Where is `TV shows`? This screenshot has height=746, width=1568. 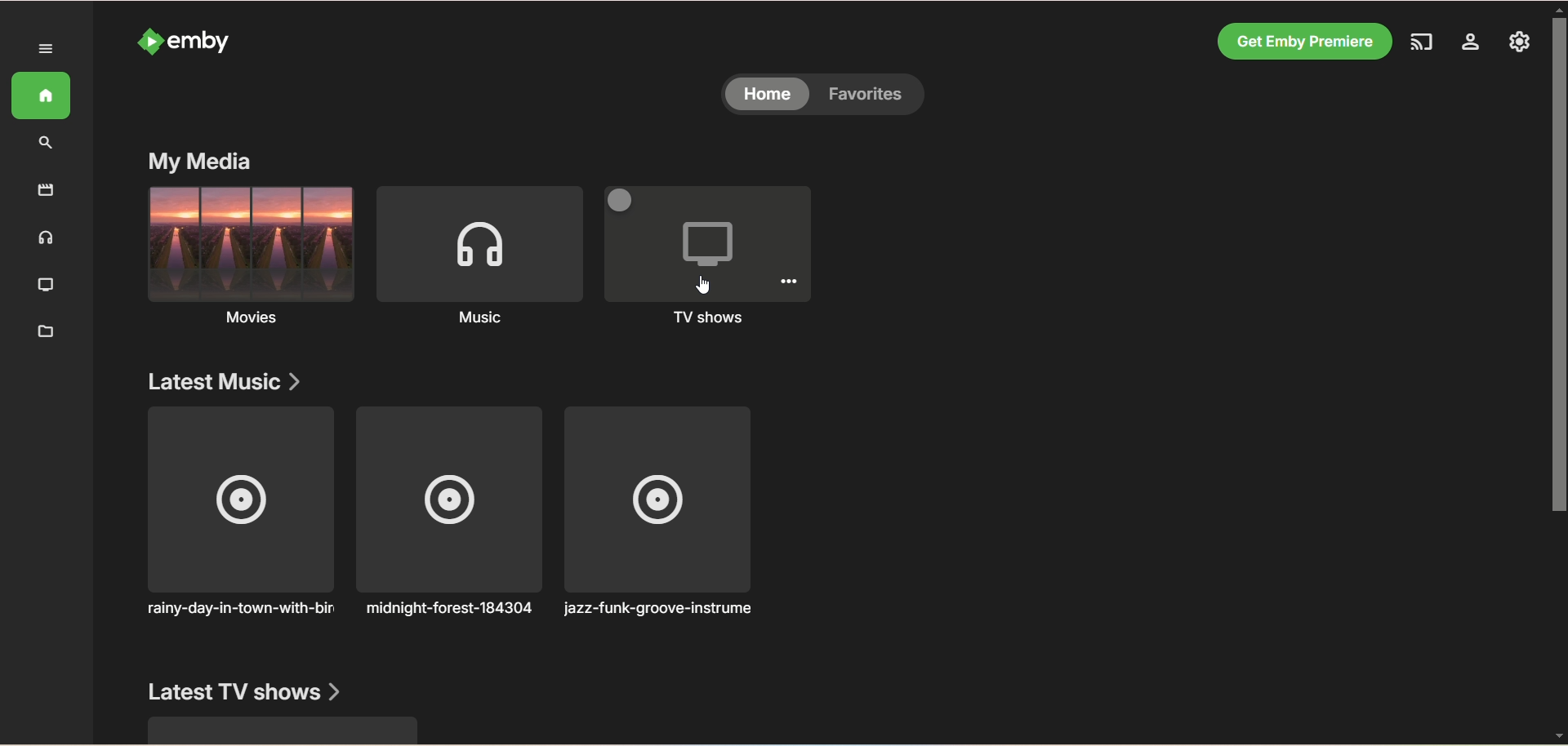
TV shows is located at coordinates (712, 257).